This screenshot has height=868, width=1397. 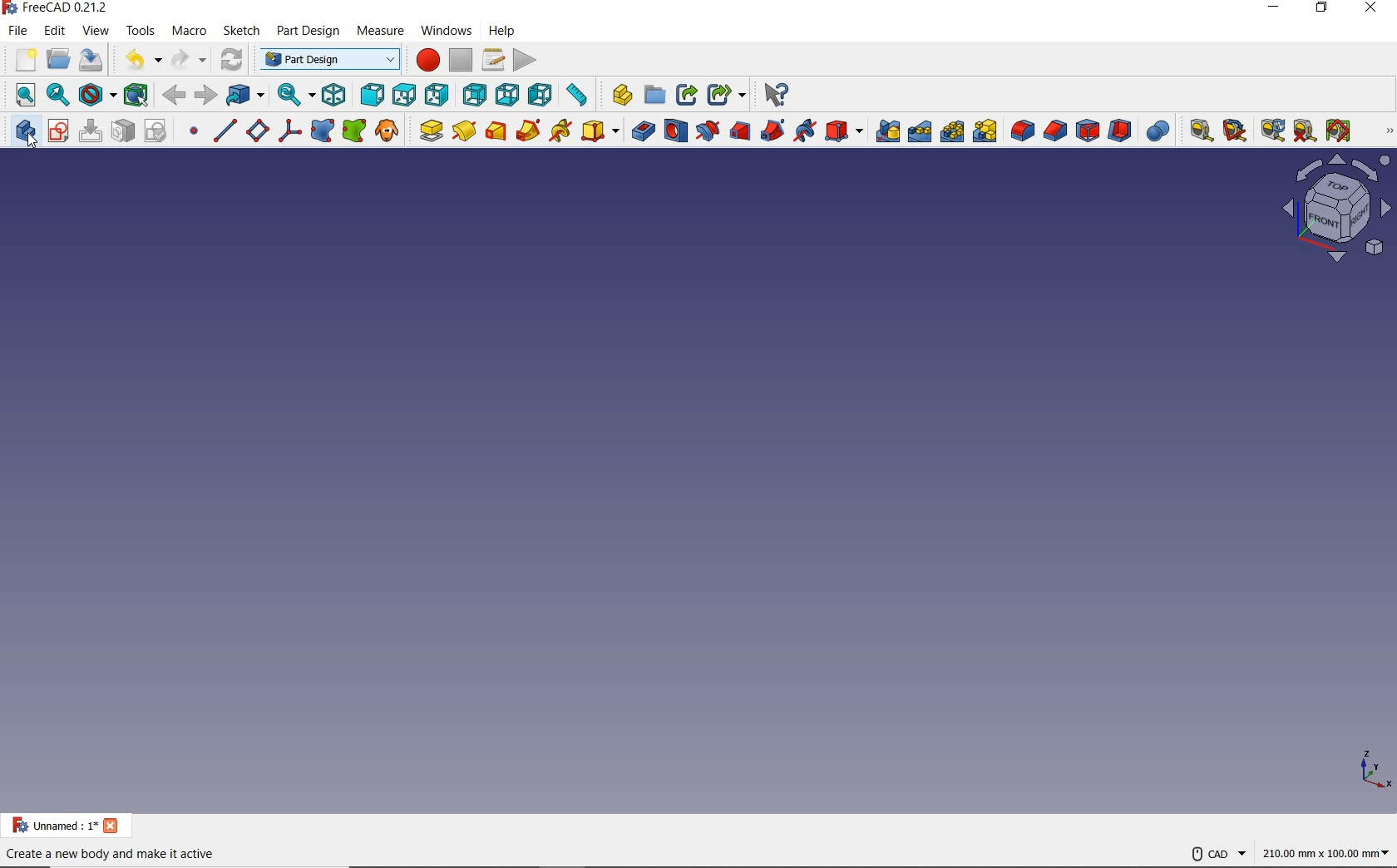 What do you see at coordinates (57, 61) in the screenshot?
I see `open` at bounding box center [57, 61].